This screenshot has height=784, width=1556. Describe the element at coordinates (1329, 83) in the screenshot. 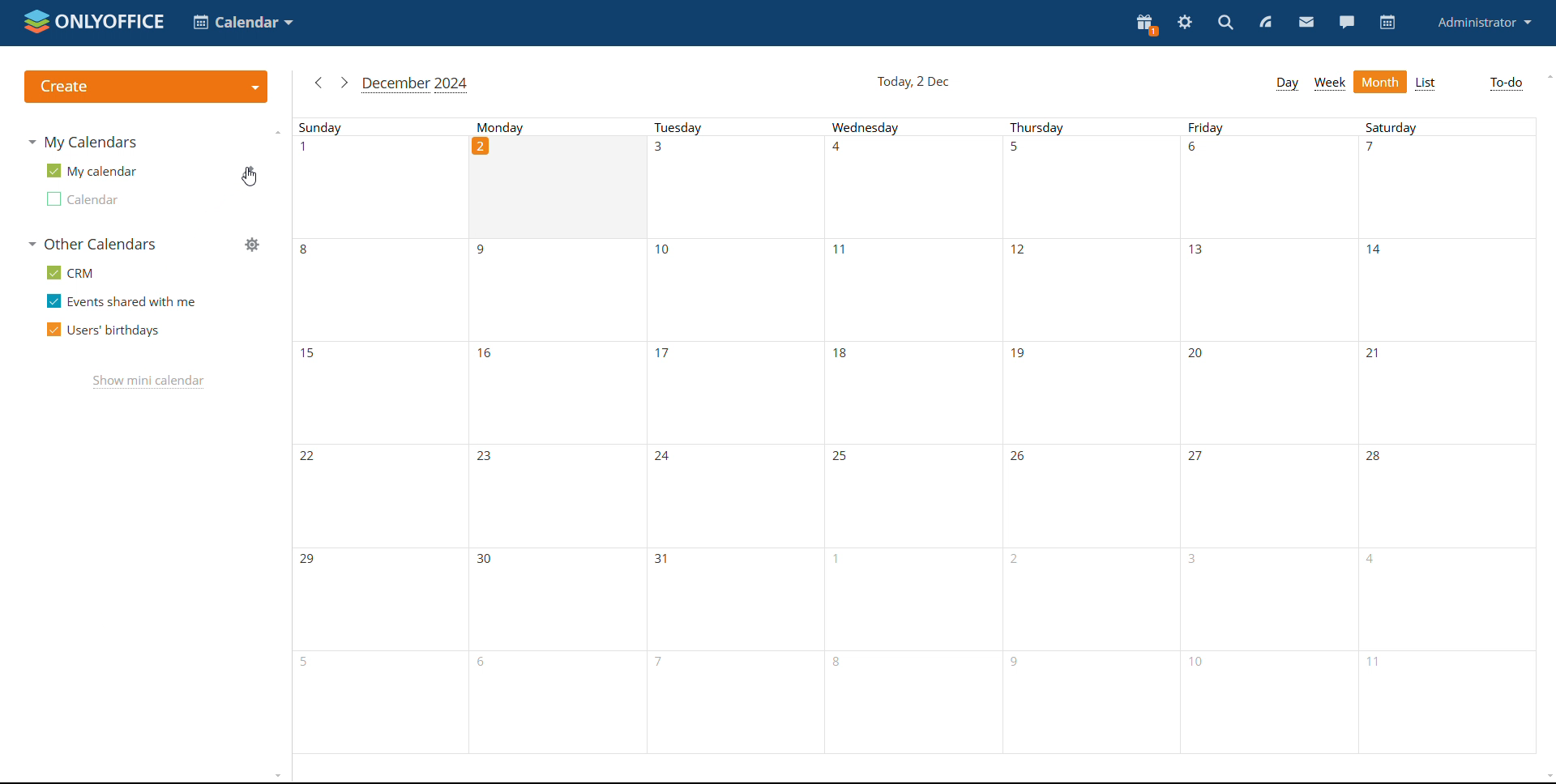

I see `week view` at that location.